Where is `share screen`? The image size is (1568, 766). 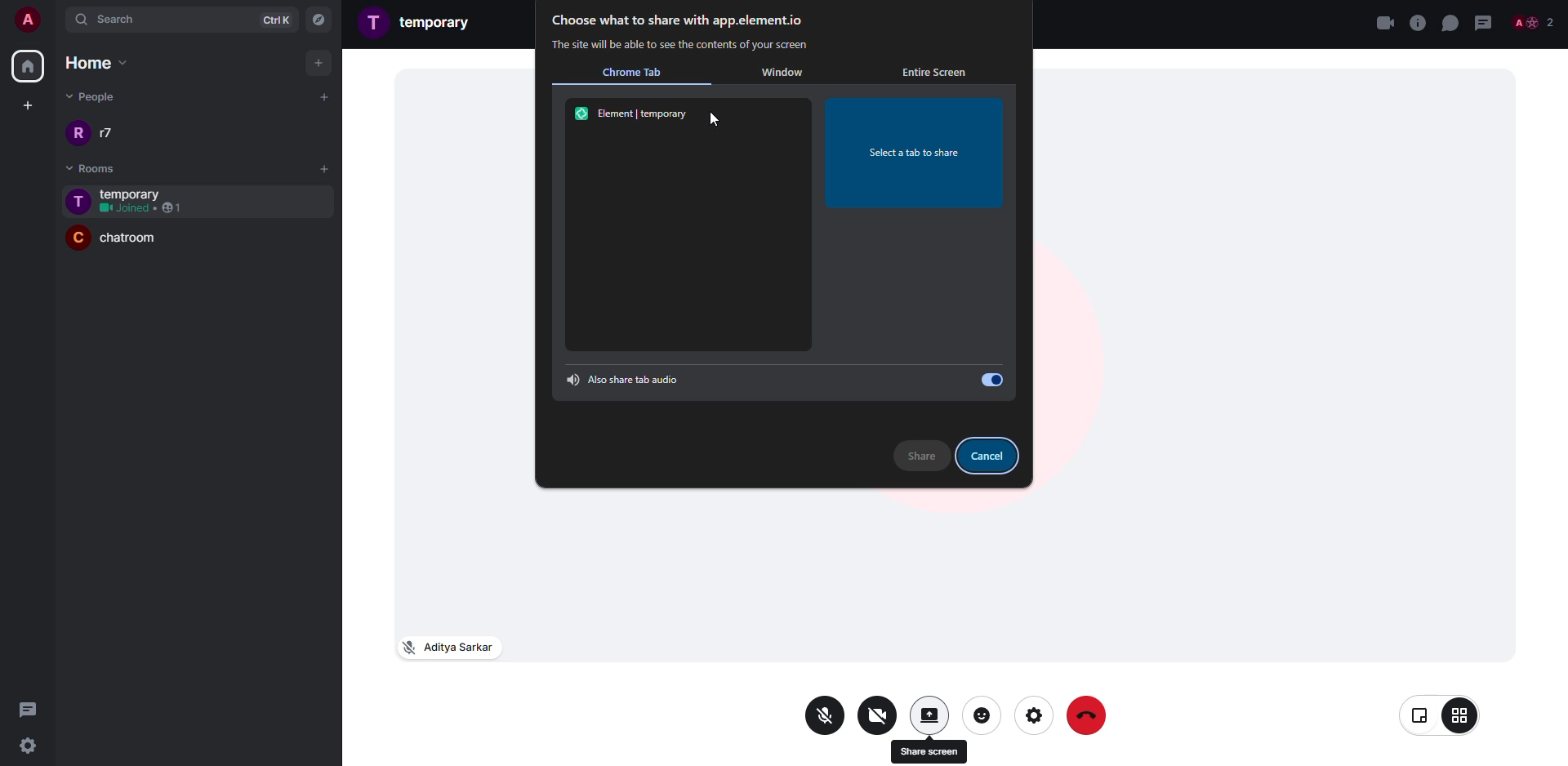
share screen is located at coordinates (929, 715).